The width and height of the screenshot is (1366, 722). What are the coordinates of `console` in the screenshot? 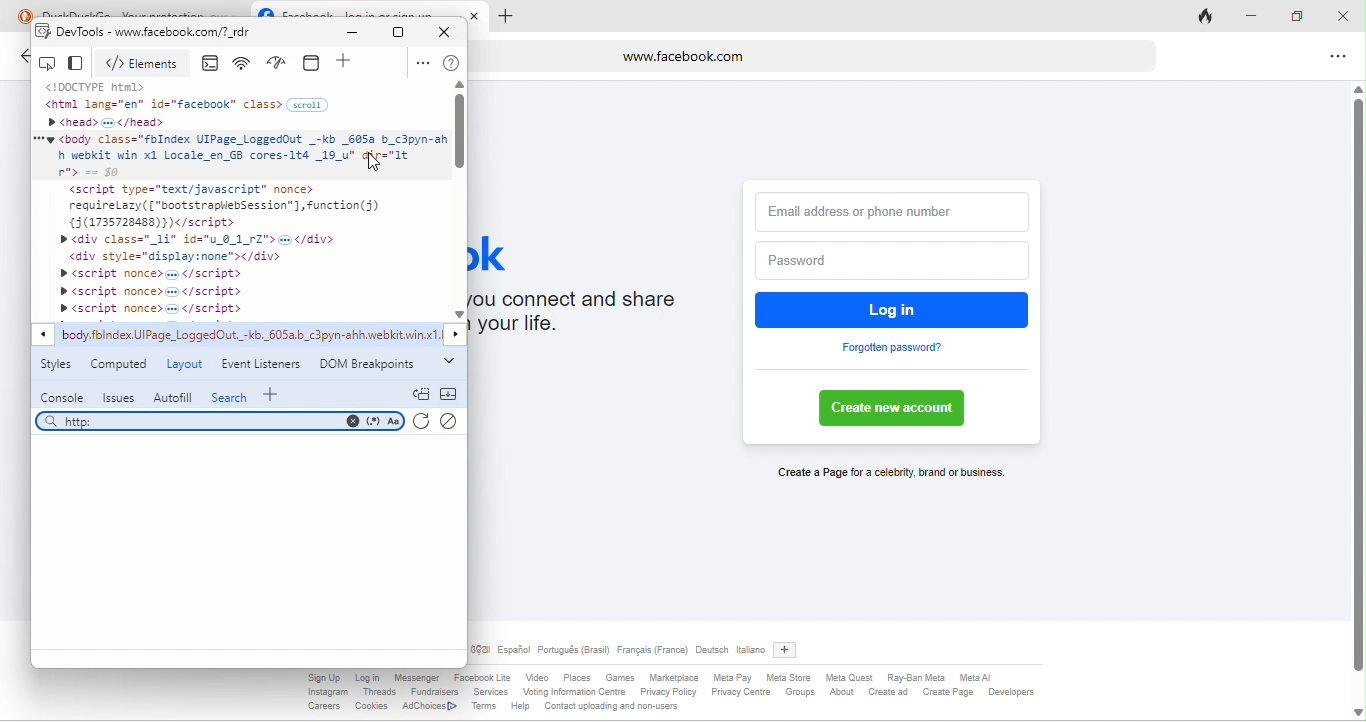 It's located at (214, 64).